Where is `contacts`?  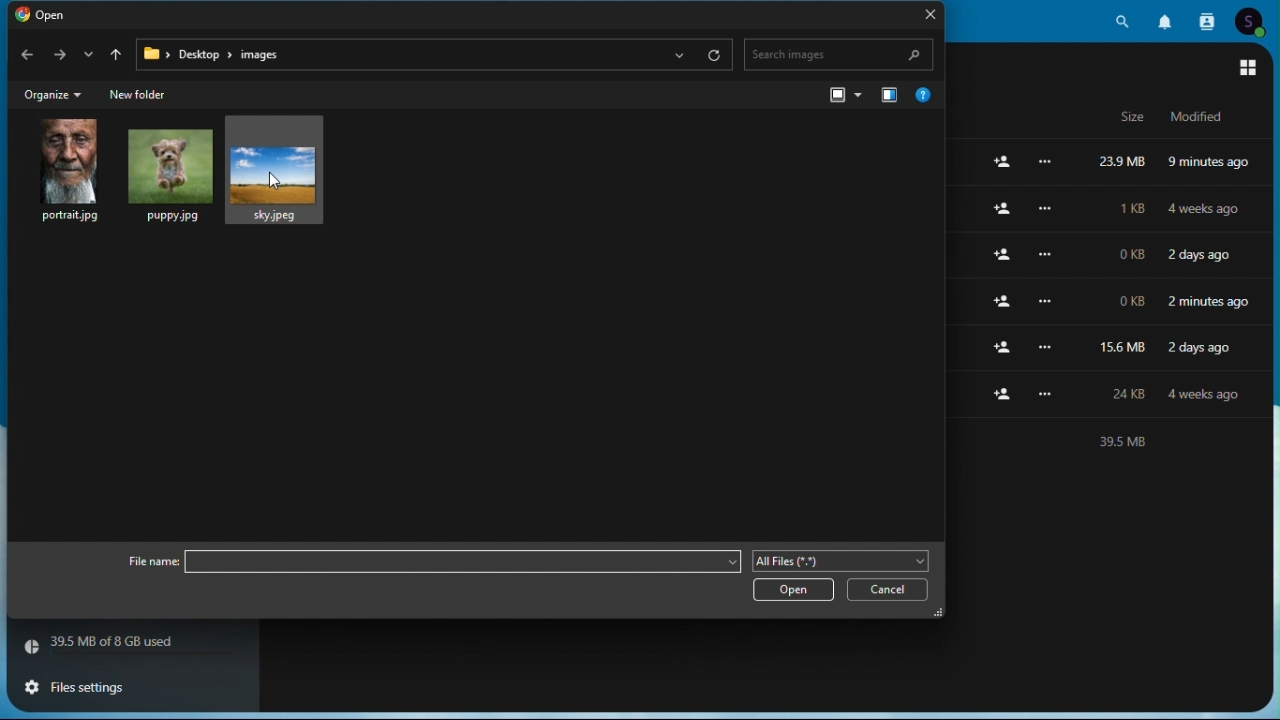 contacts is located at coordinates (1210, 19).